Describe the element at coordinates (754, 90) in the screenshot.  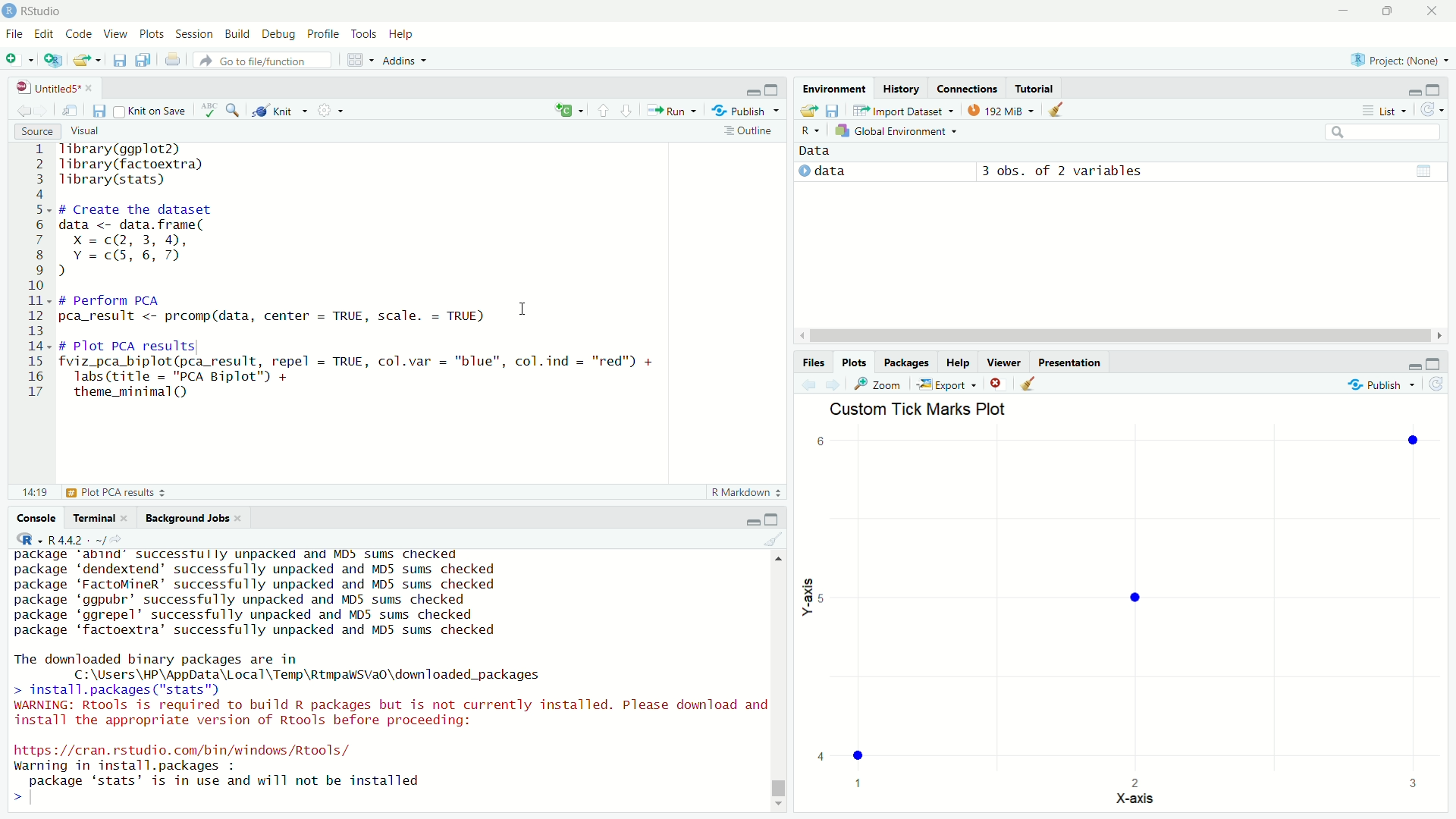
I see `minimize` at that location.